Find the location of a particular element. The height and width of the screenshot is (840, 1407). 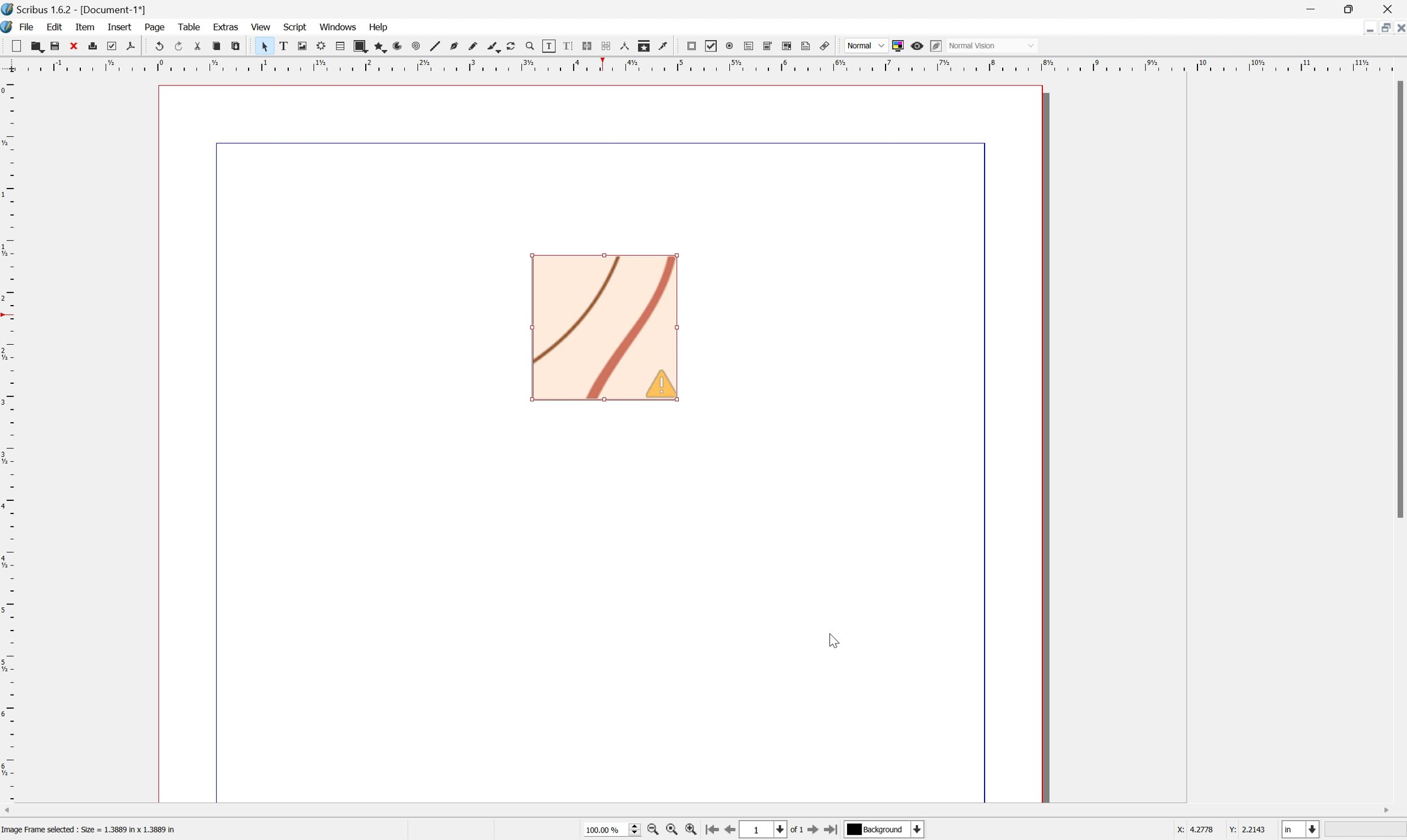

Edit contents of frame is located at coordinates (551, 47).